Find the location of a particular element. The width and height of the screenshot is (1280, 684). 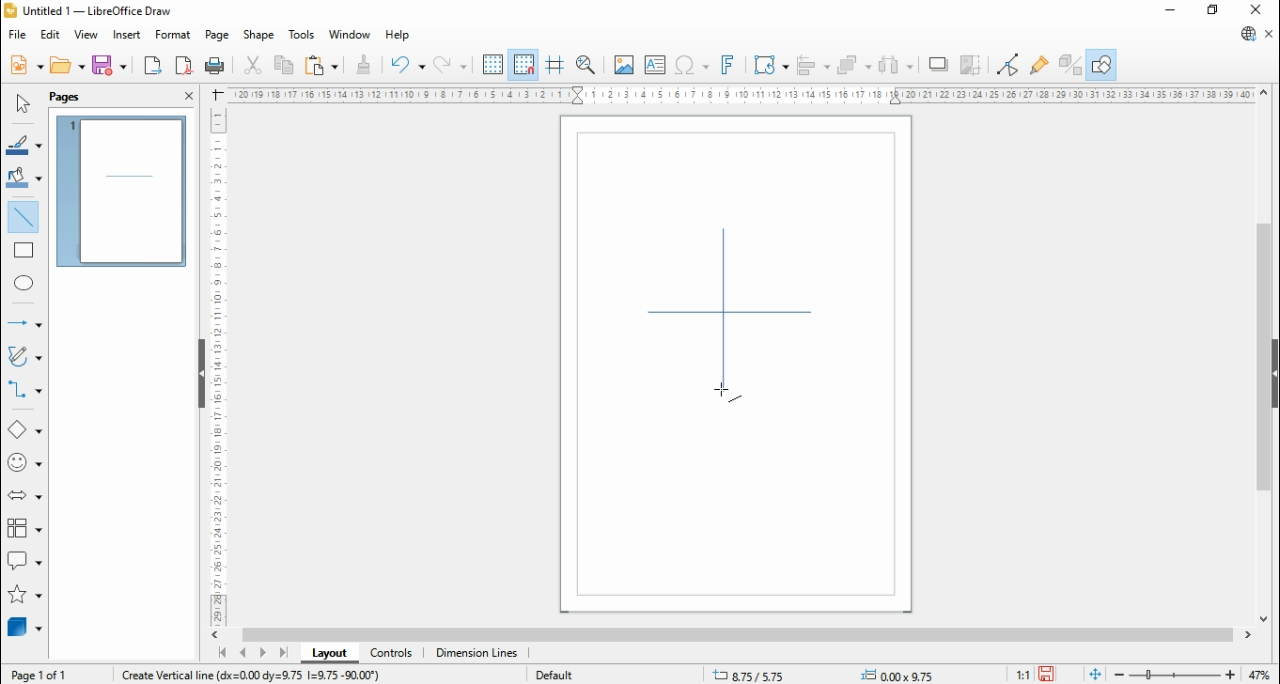

select is located at coordinates (21, 104).